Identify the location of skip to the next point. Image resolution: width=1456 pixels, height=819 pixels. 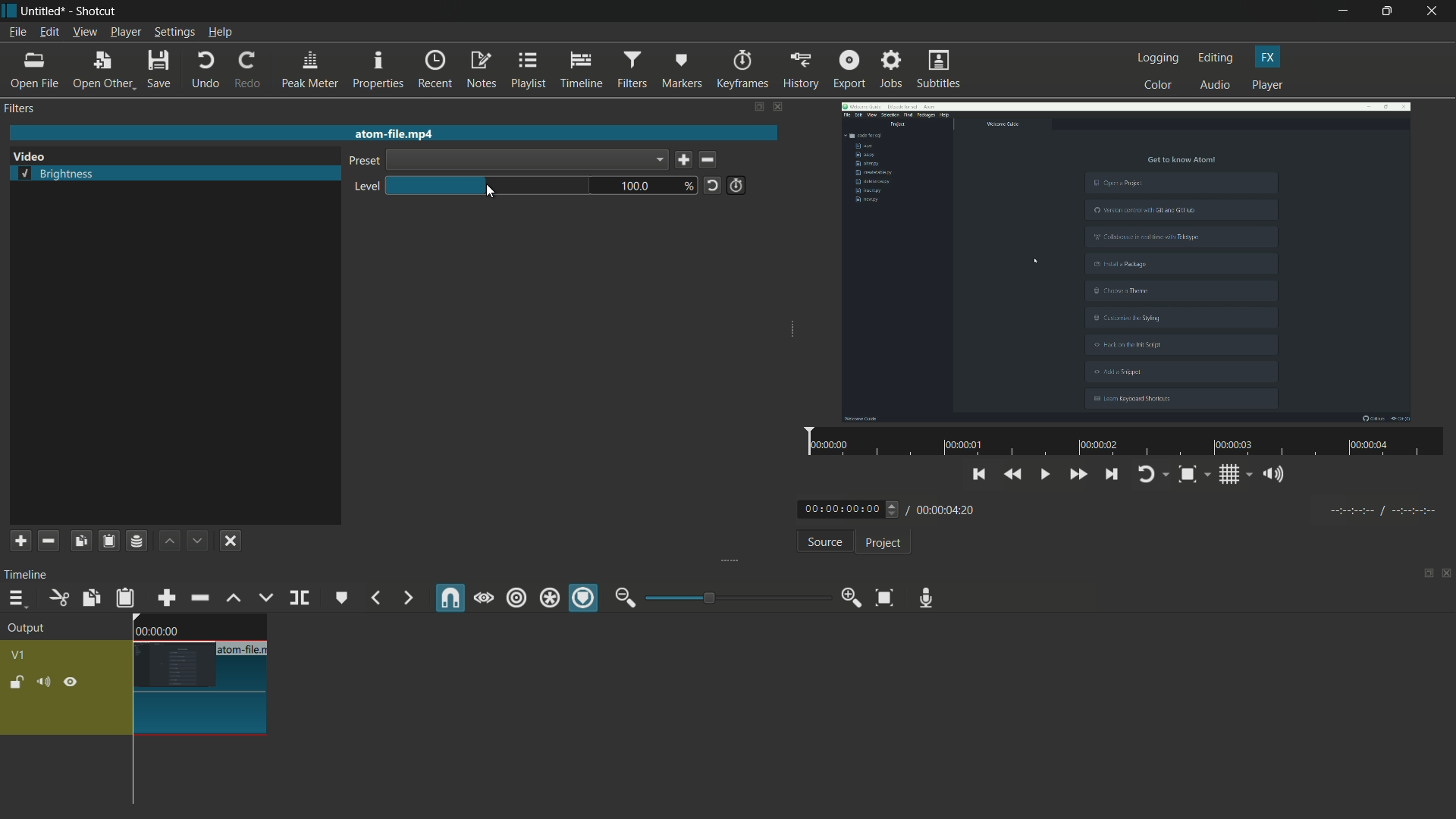
(1112, 476).